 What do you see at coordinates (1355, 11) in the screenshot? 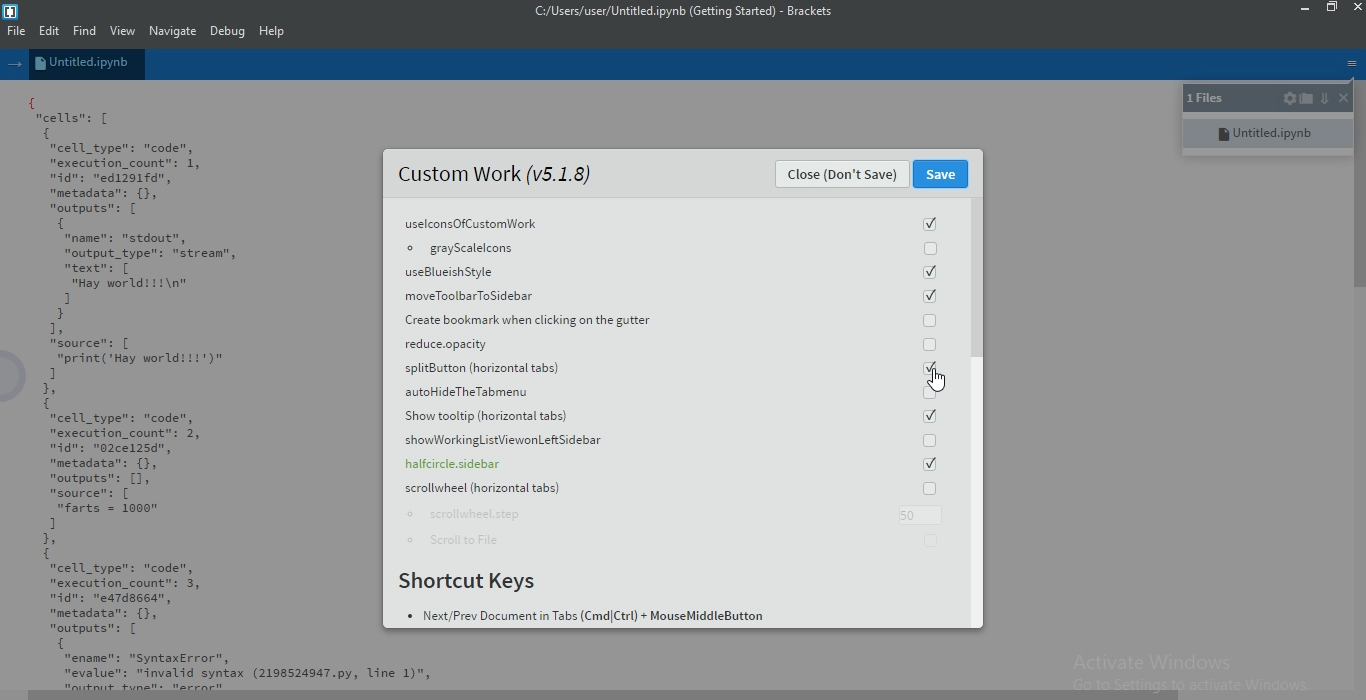
I see `close` at bounding box center [1355, 11].